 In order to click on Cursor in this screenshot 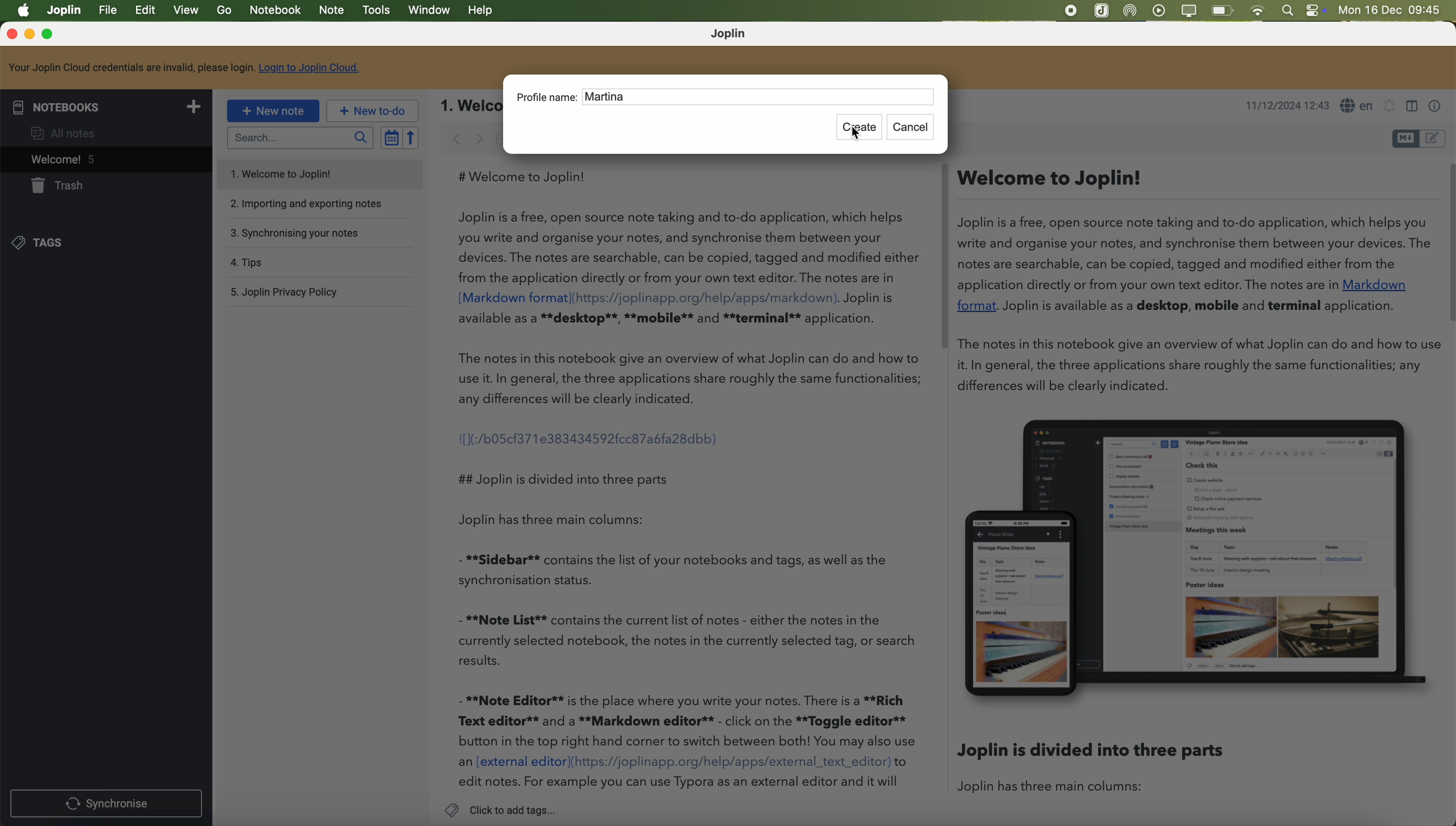, I will do `click(856, 134)`.